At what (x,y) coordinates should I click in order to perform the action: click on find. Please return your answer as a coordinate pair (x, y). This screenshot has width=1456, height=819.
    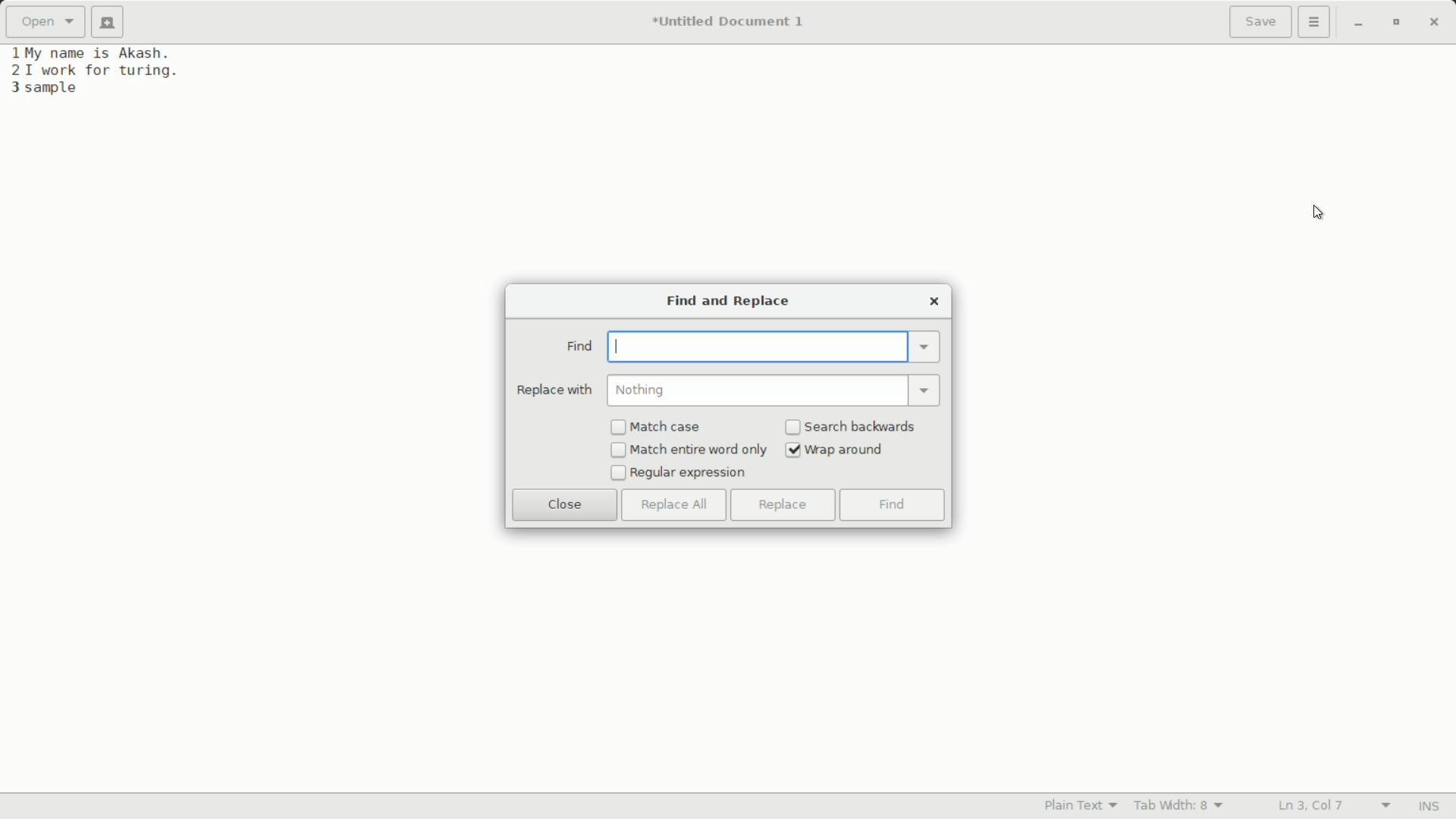
    Looking at the image, I should click on (893, 507).